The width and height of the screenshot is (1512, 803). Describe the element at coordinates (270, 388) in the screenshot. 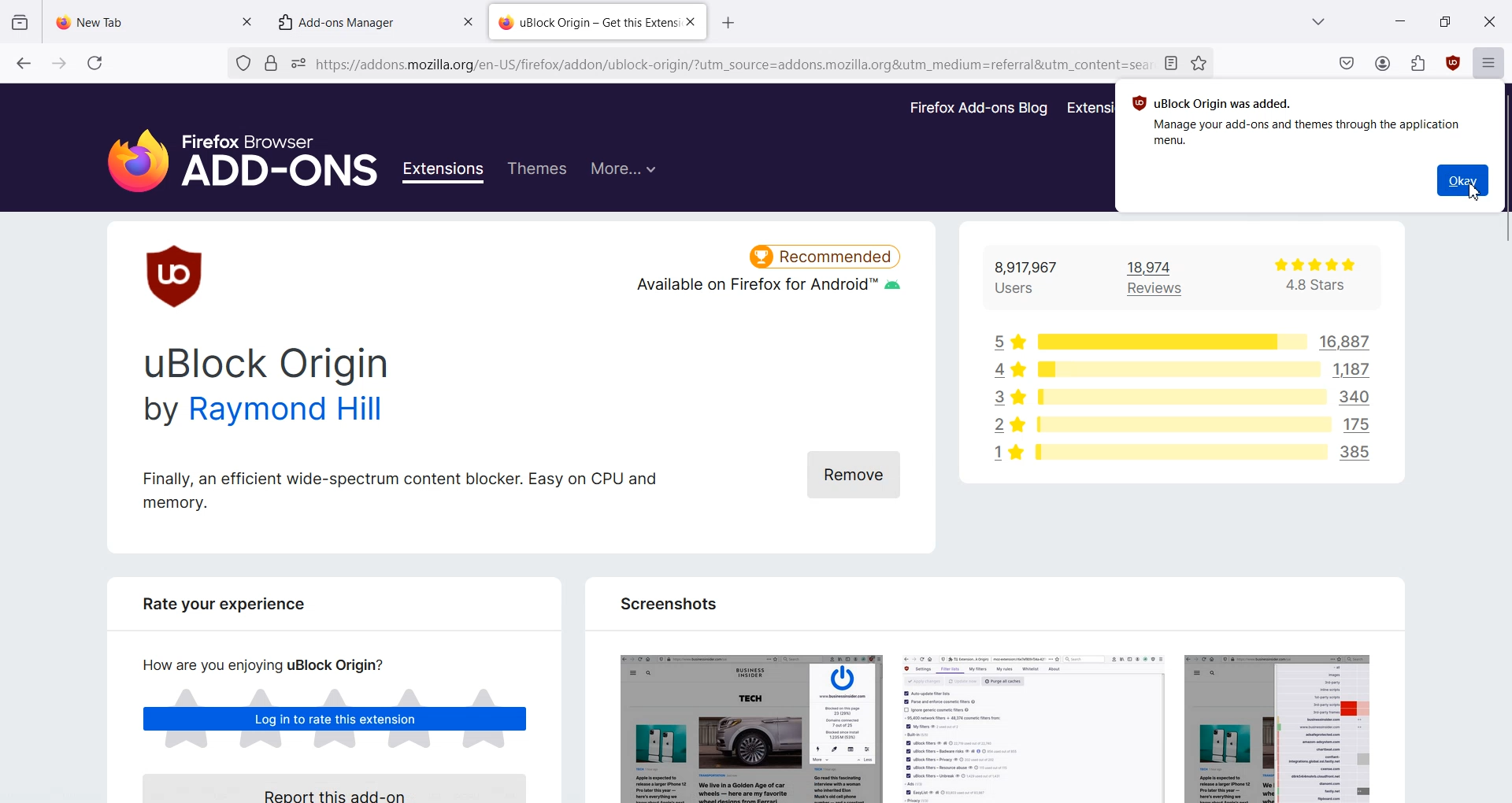

I see `uBlock Origin by Raymond Hill` at that location.